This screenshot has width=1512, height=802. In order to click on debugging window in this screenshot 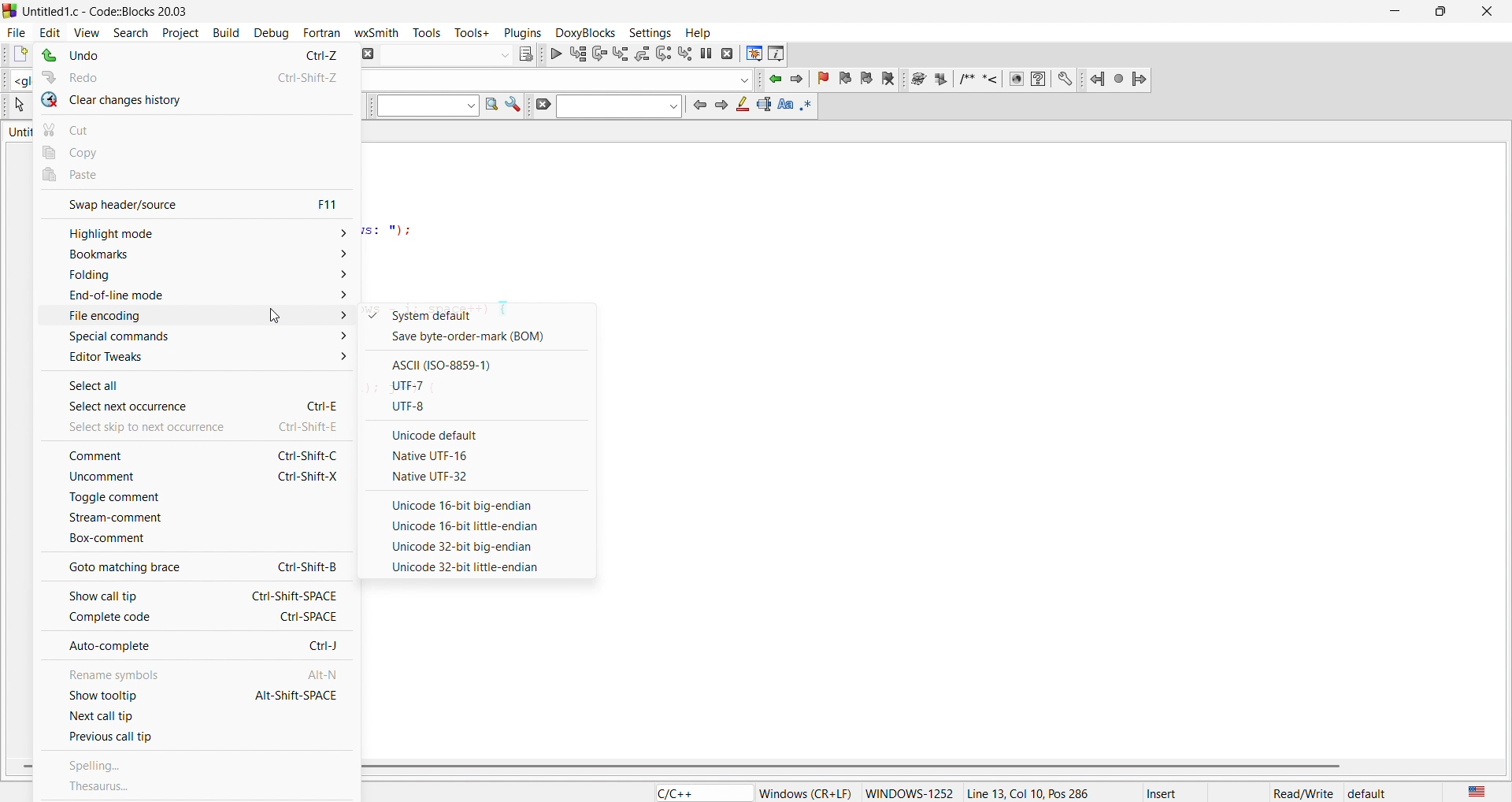, I will do `click(754, 54)`.